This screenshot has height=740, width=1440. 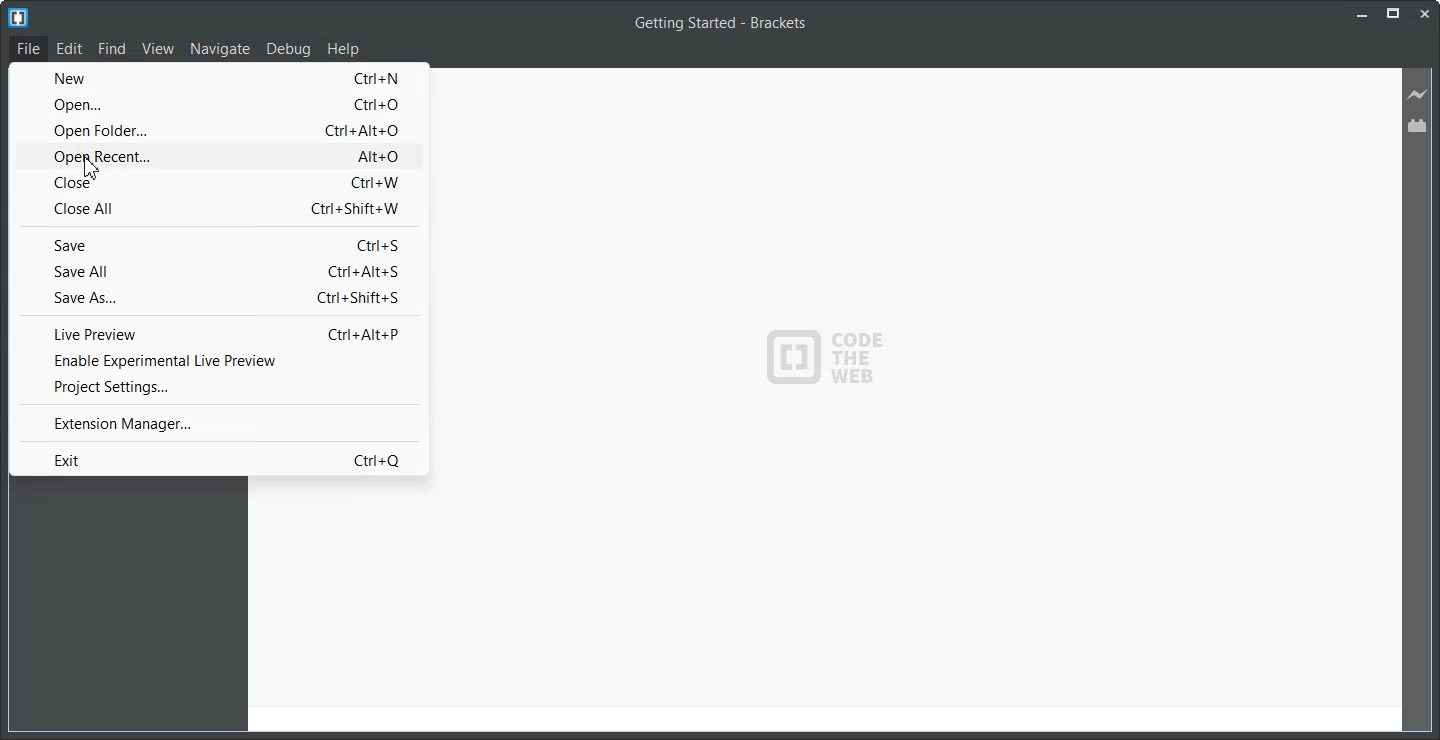 I want to click on Help, so click(x=343, y=49).